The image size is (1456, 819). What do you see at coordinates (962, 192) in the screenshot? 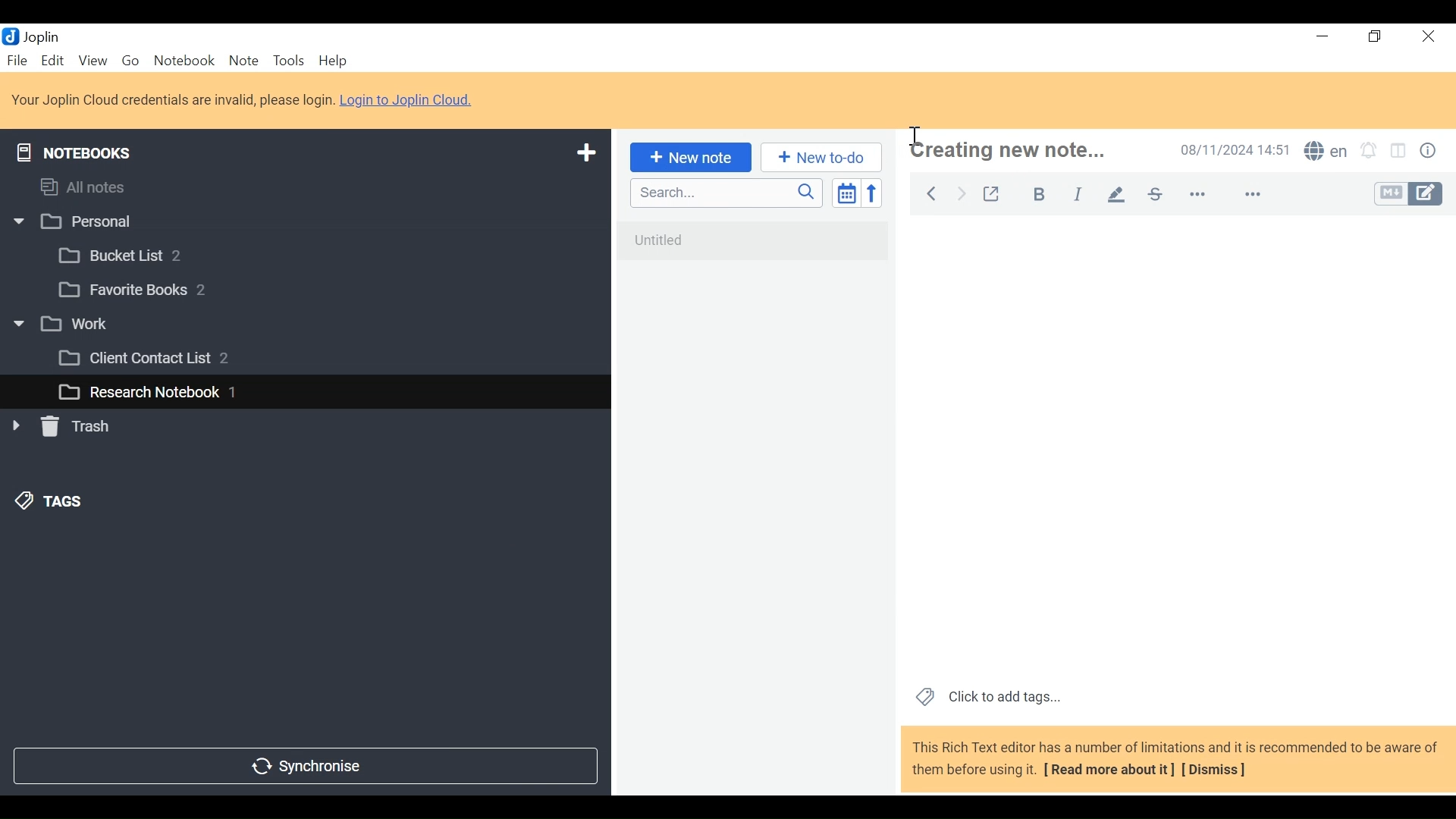
I see `Forward` at bounding box center [962, 192].